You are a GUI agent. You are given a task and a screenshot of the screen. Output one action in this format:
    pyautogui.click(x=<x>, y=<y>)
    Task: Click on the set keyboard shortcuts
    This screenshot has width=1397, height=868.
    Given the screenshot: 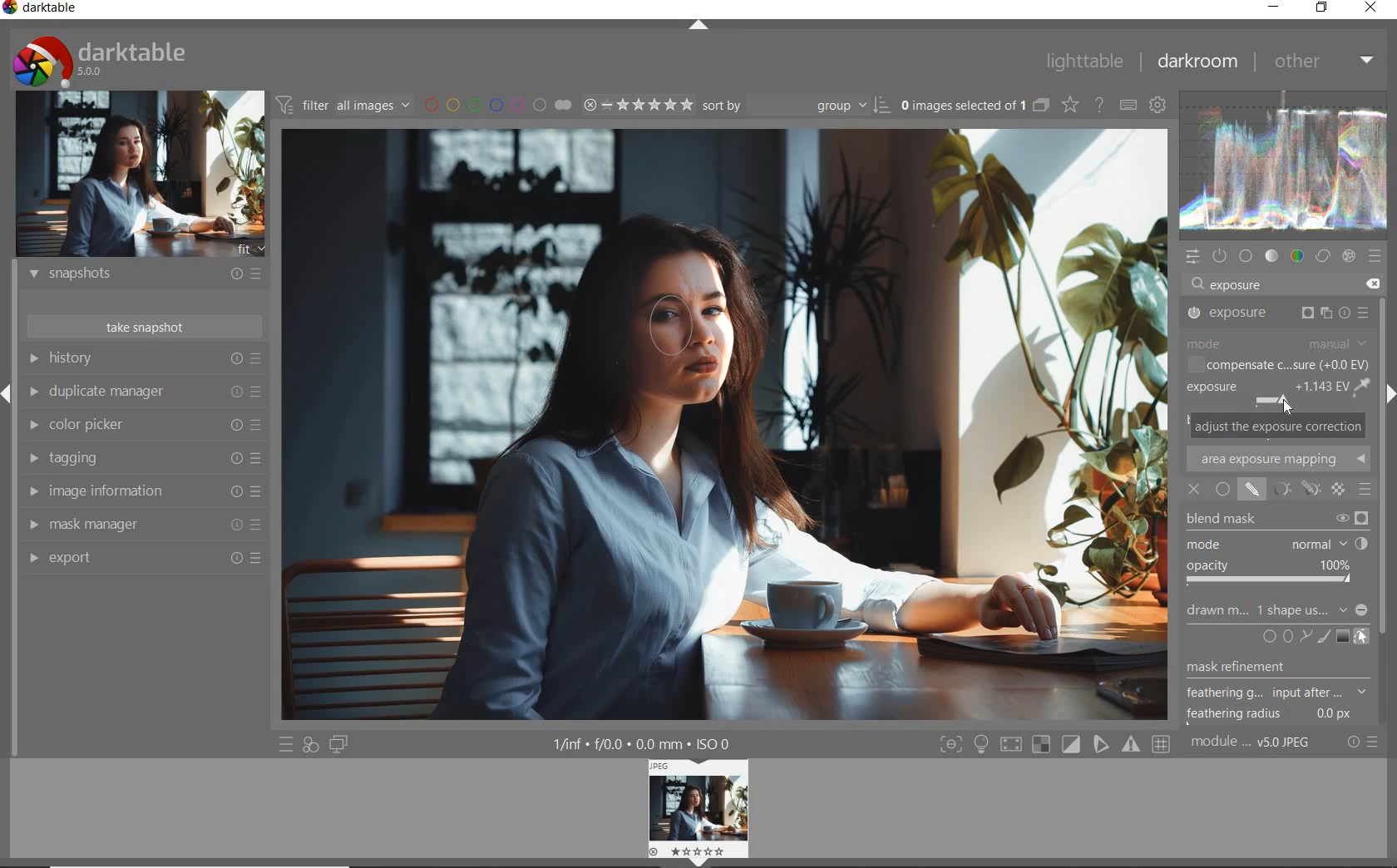 What is the action you would take?
    pyautogui.click(x=1127, y=105)
    